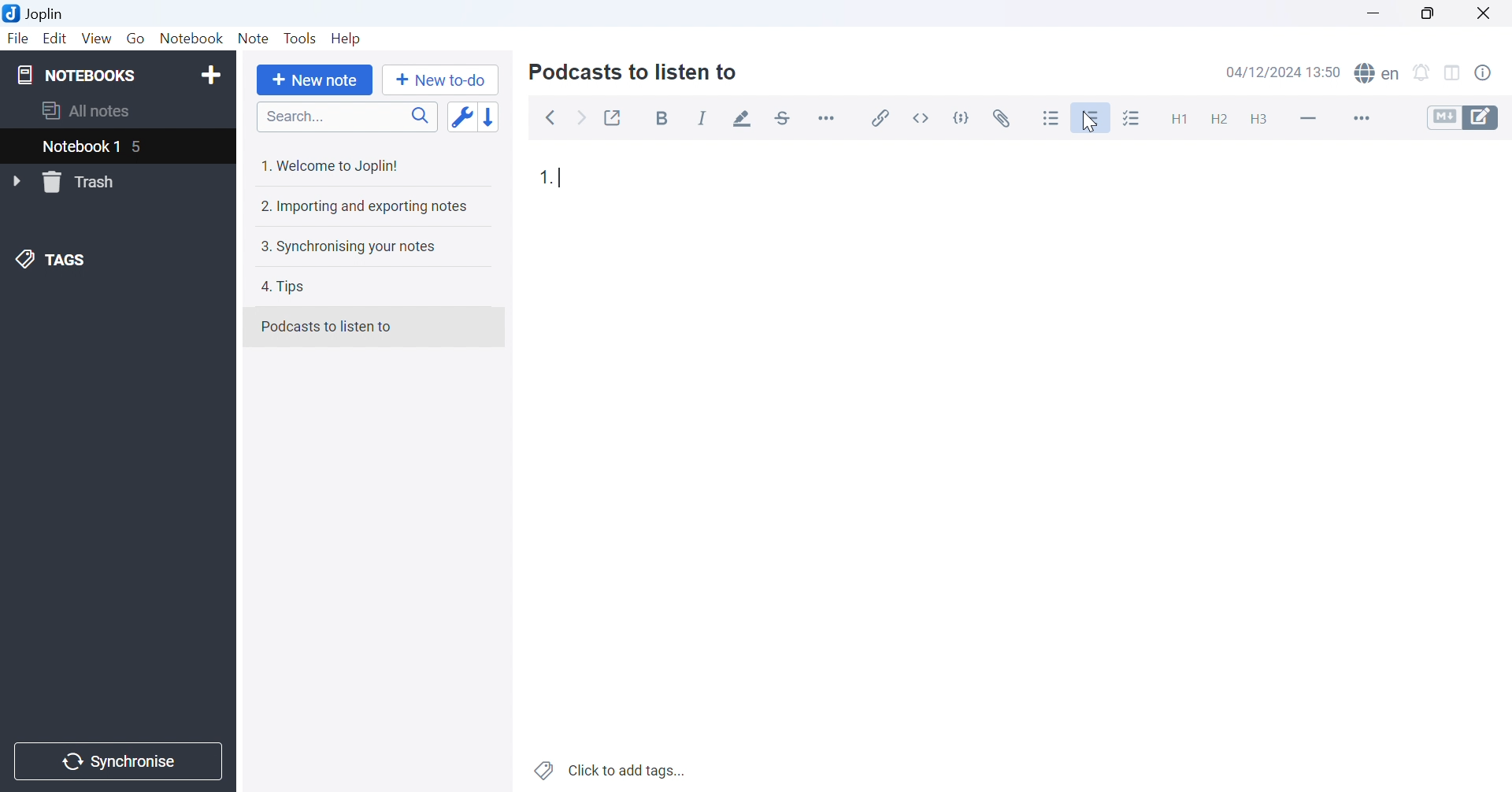 The height and width of the screenshot is (792, 1512). What do you see at coordinates (76, 73) in the screenshot?
I see `NOTEBOOKS` at bounding box center [76, 73].